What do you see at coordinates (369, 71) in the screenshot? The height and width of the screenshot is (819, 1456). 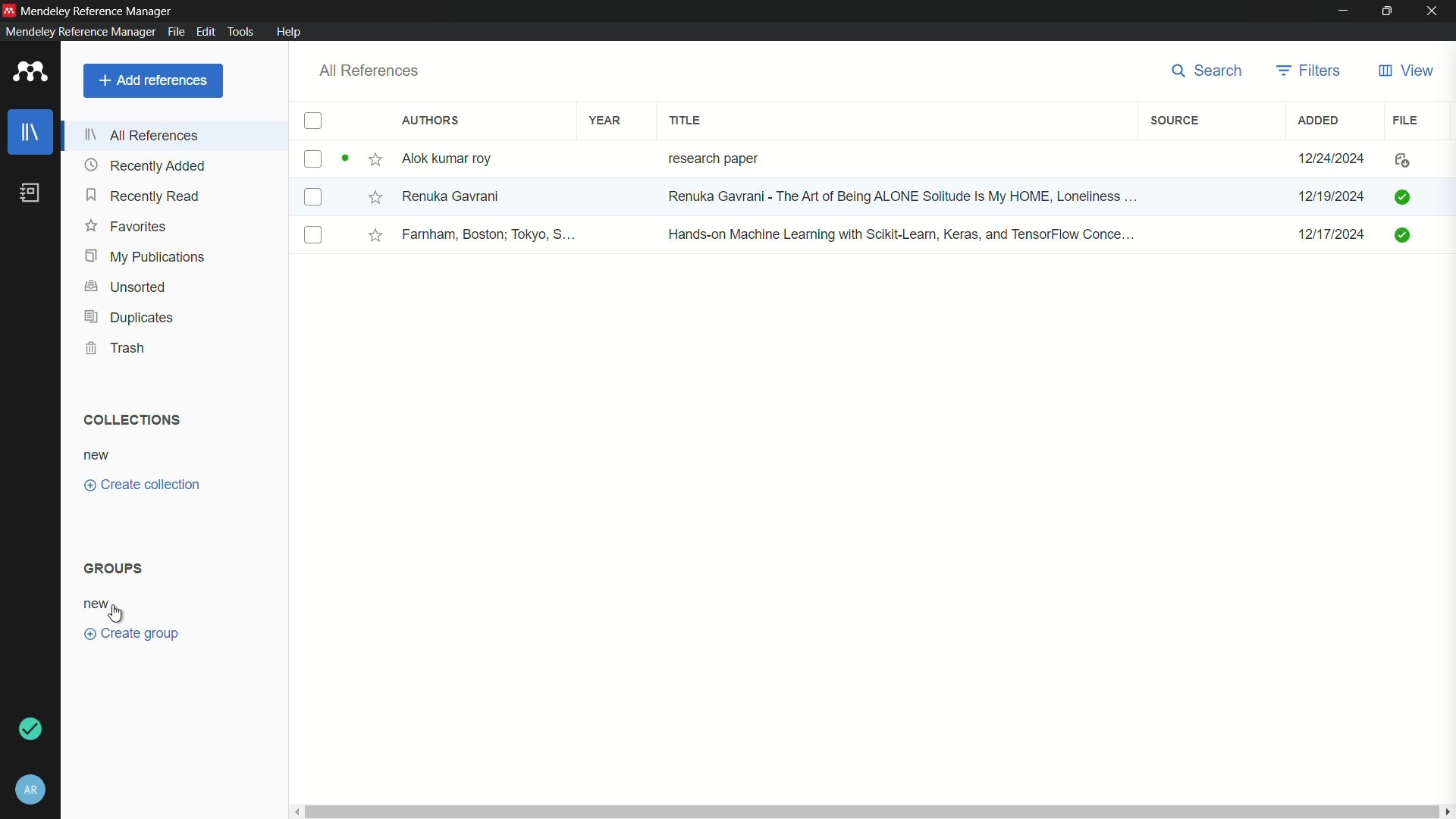 I see `all references` at bounding box center [369, 71].